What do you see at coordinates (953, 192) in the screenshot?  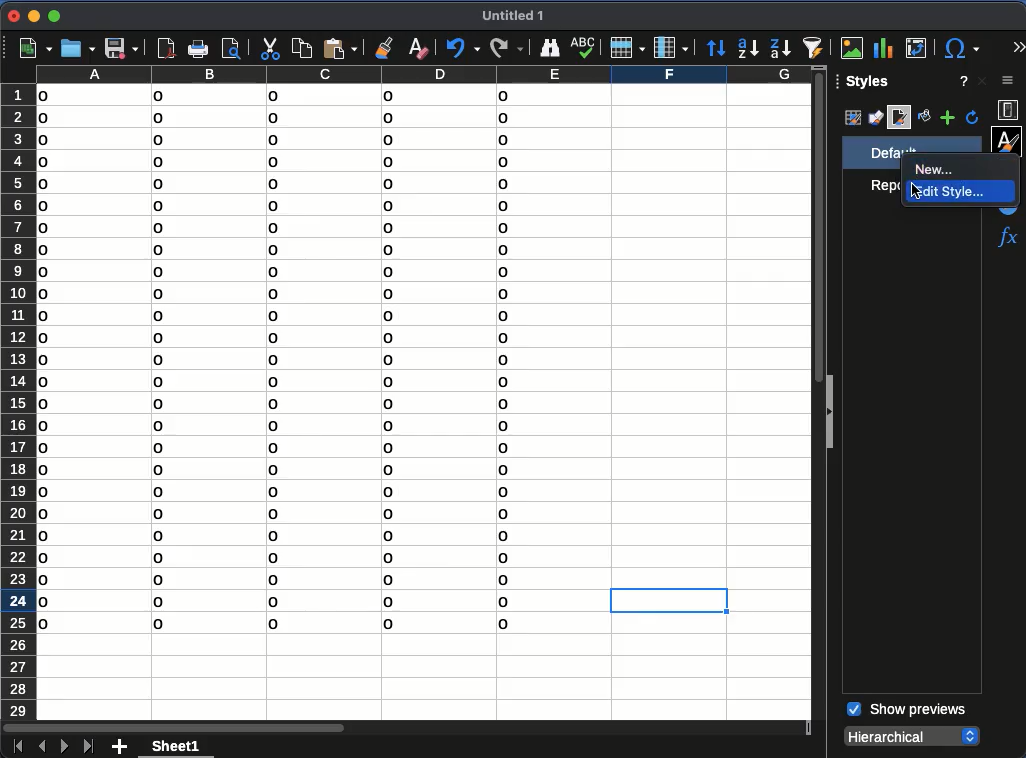 I see `Edit style` at bounding box center [953, 192].